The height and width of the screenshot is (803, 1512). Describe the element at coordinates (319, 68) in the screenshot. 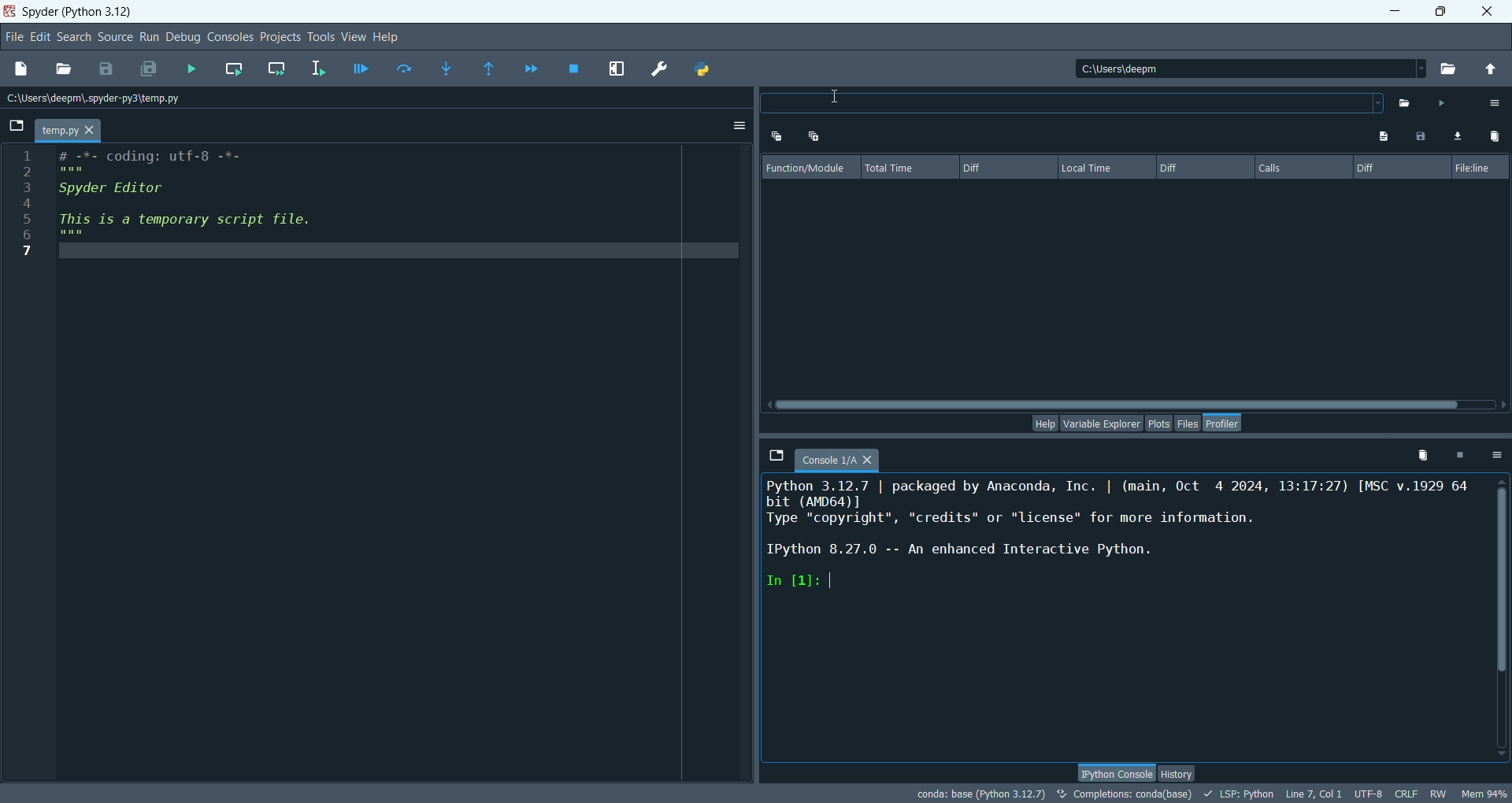

I see `run selection` at that location.